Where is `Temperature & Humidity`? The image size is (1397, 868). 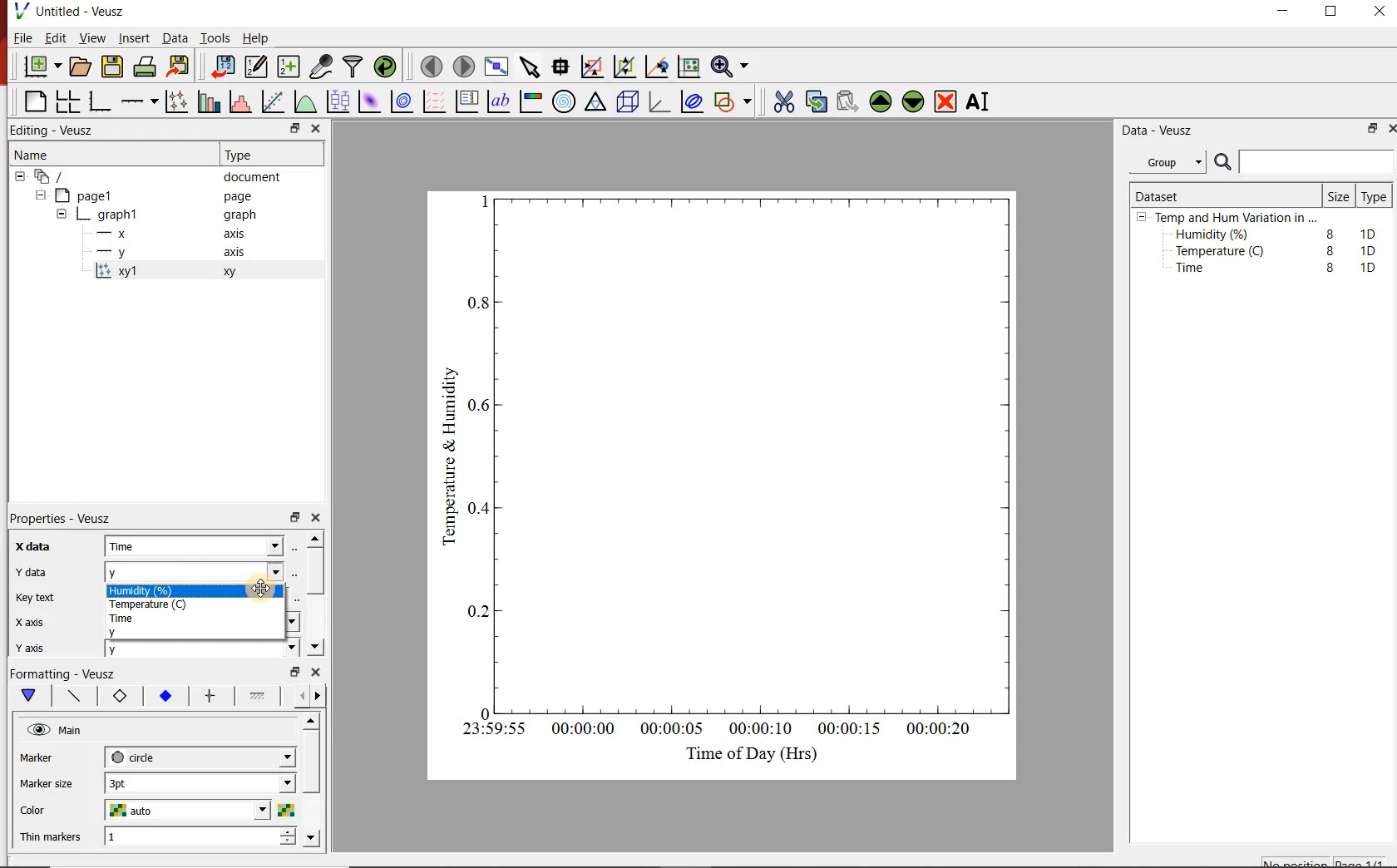 Temperature & Humidity is located at coordinates (449, 451).